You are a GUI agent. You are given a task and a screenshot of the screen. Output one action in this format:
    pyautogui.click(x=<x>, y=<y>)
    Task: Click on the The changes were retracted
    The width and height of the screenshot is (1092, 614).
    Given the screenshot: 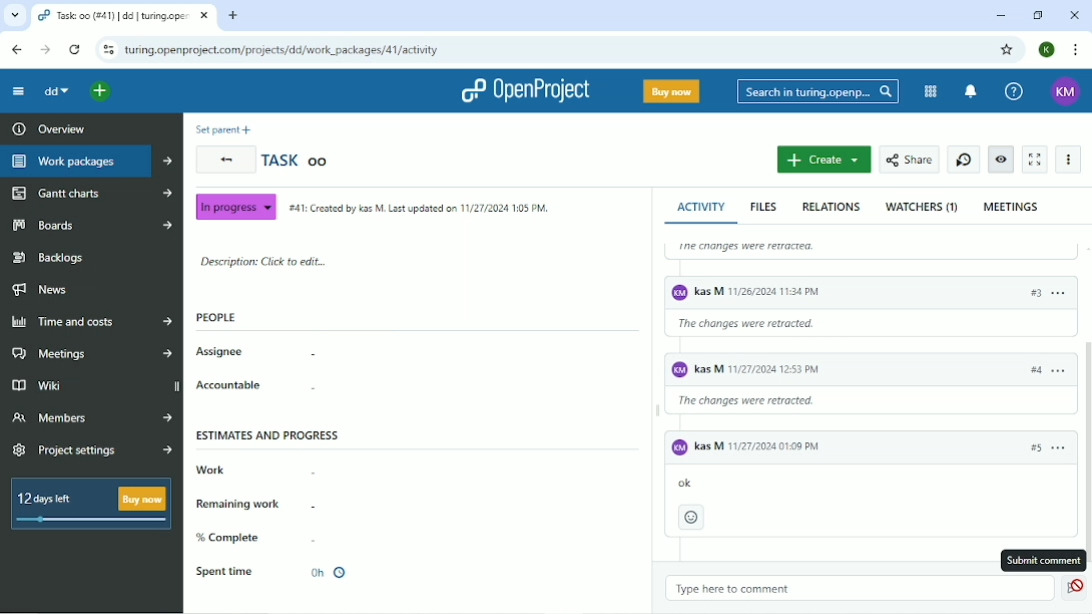 What is the action you would take?
    pyautogui.click(x=764, y=403)
    